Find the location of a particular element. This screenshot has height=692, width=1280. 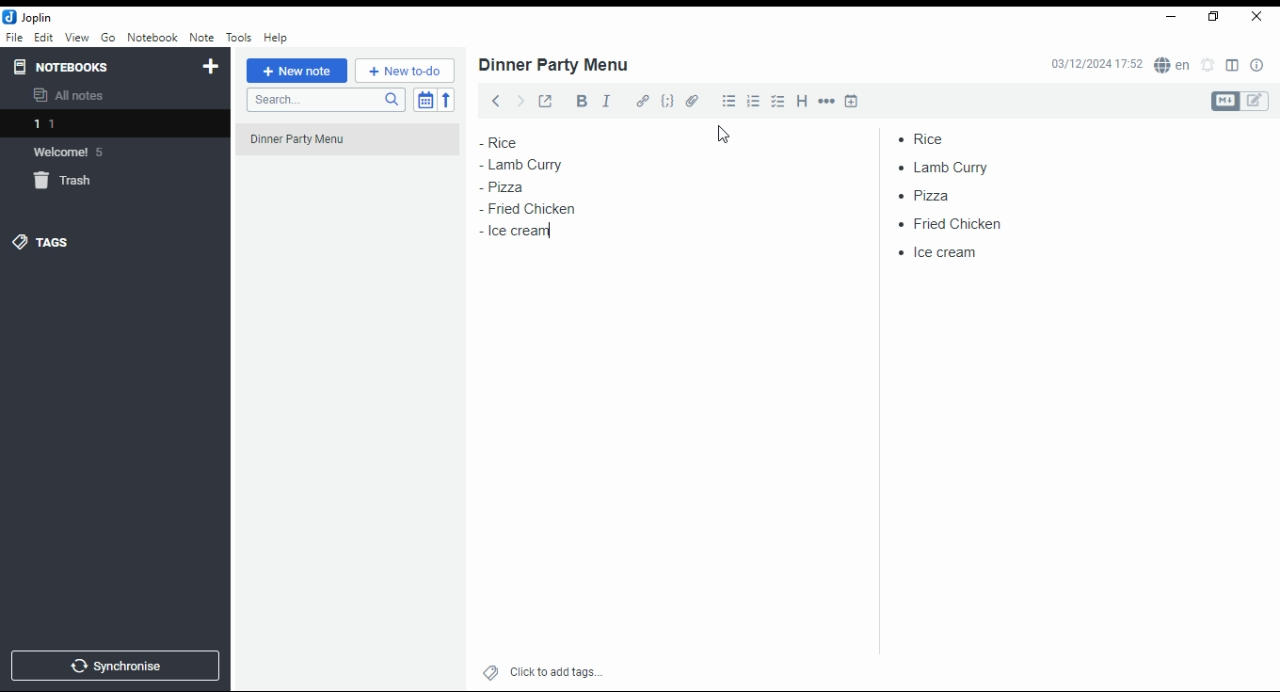

bullet list is located at coordinates (731, 101).